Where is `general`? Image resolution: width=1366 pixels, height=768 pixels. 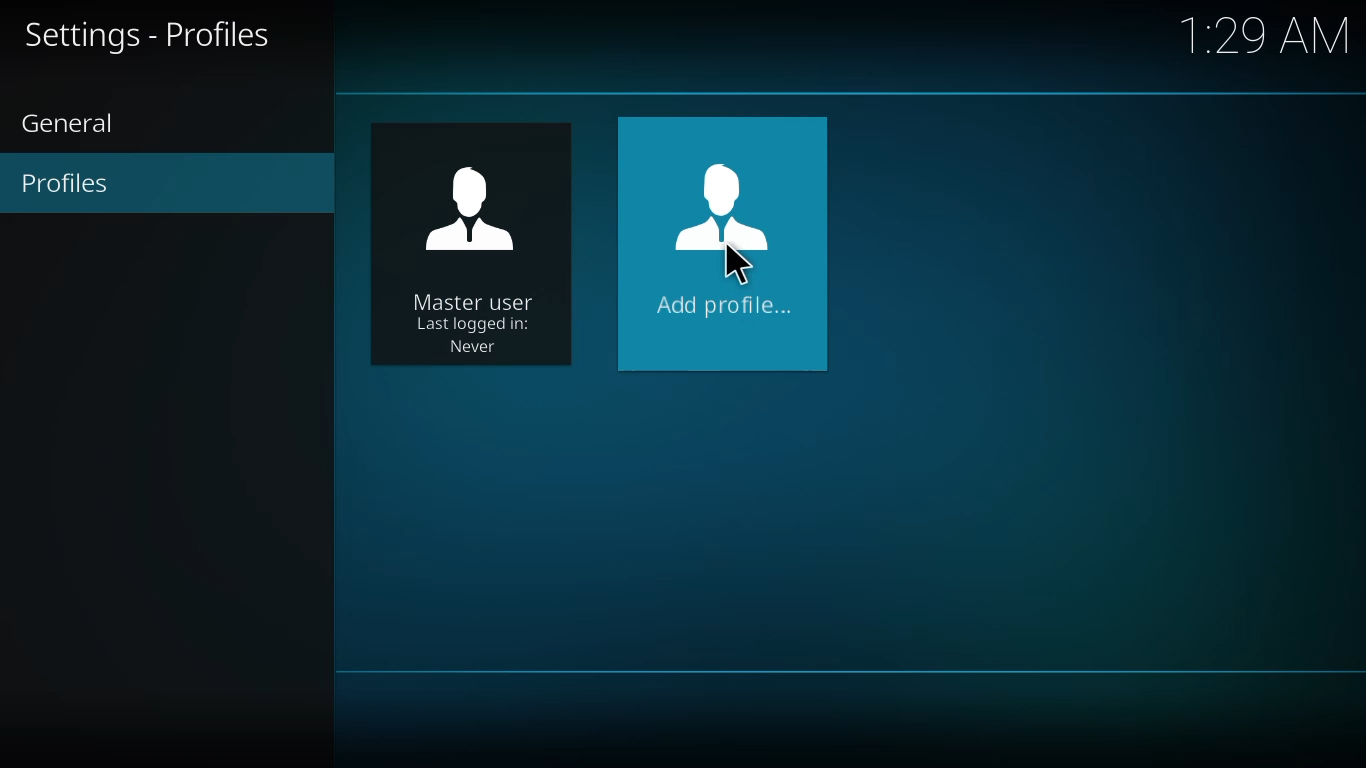 general is located at coordinates (78, 125).